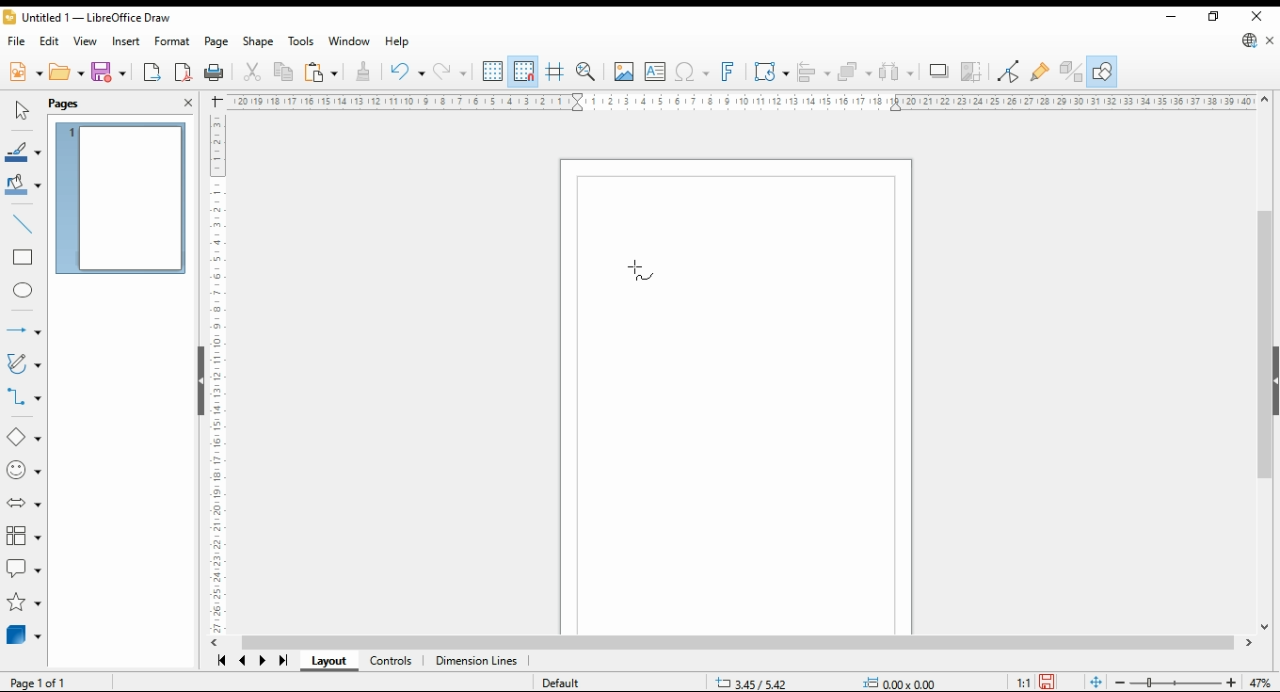 Image resolution: width=1280 pixels, height=692 pixels. What do you see at coordinates (477, 661) in the screenshot?
I see `dimensions` at bounding box center [477, 661].